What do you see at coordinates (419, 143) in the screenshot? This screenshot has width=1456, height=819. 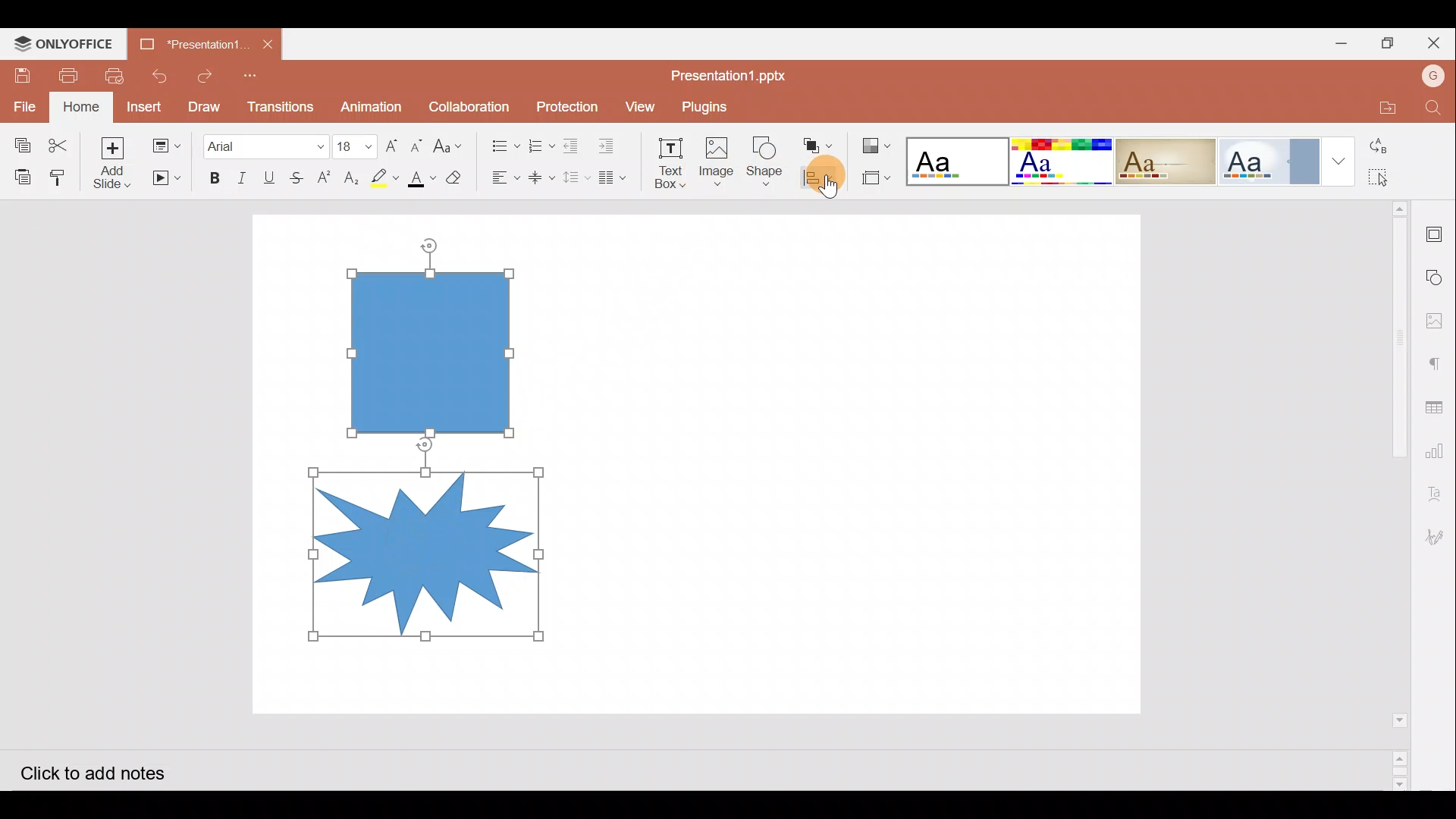 I see `Decrease font size` at bounding box center [419, 143].